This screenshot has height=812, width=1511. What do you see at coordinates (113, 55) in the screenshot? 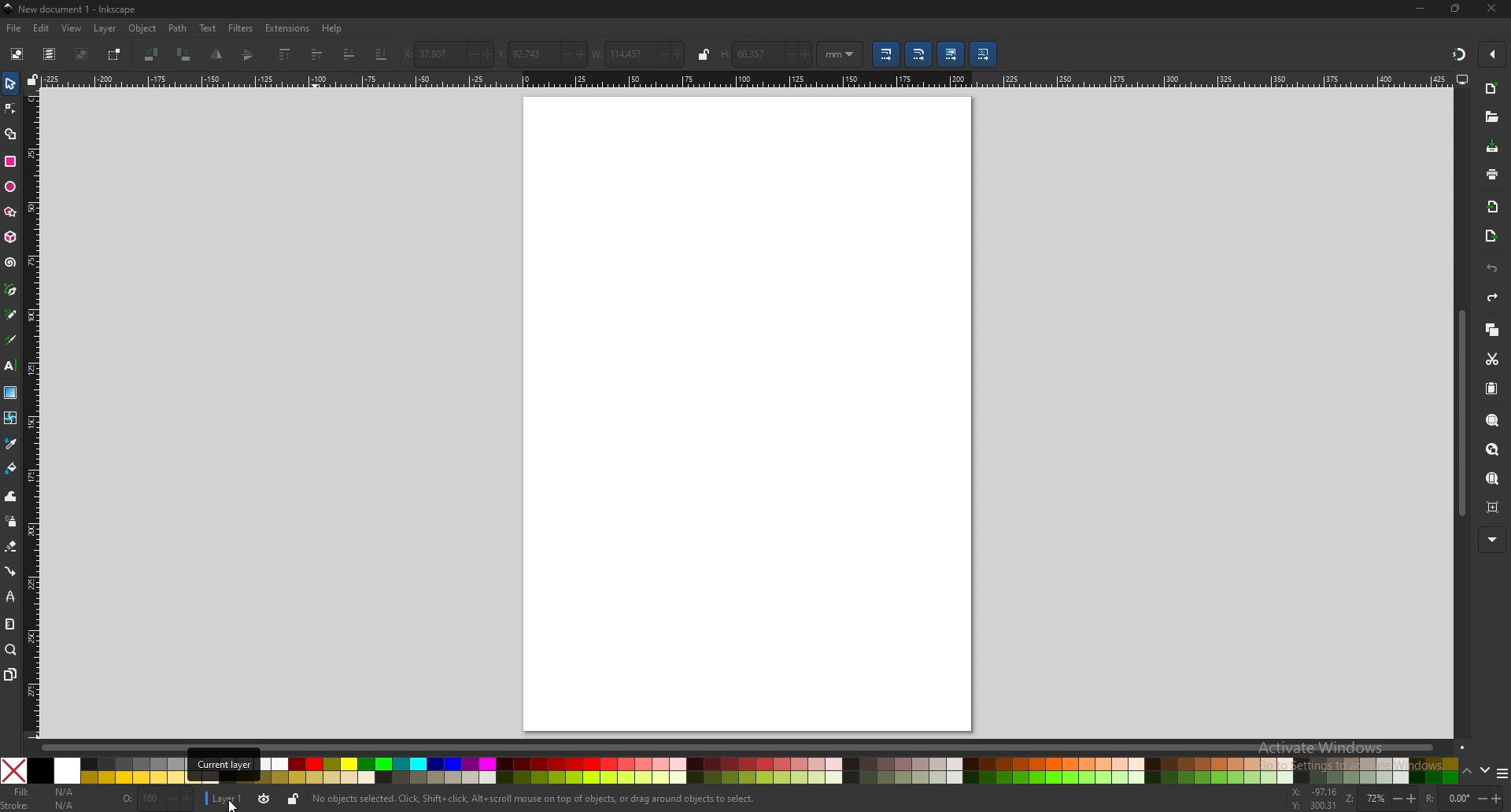
I see `toggle selection box` at bounding box center [113, 55].